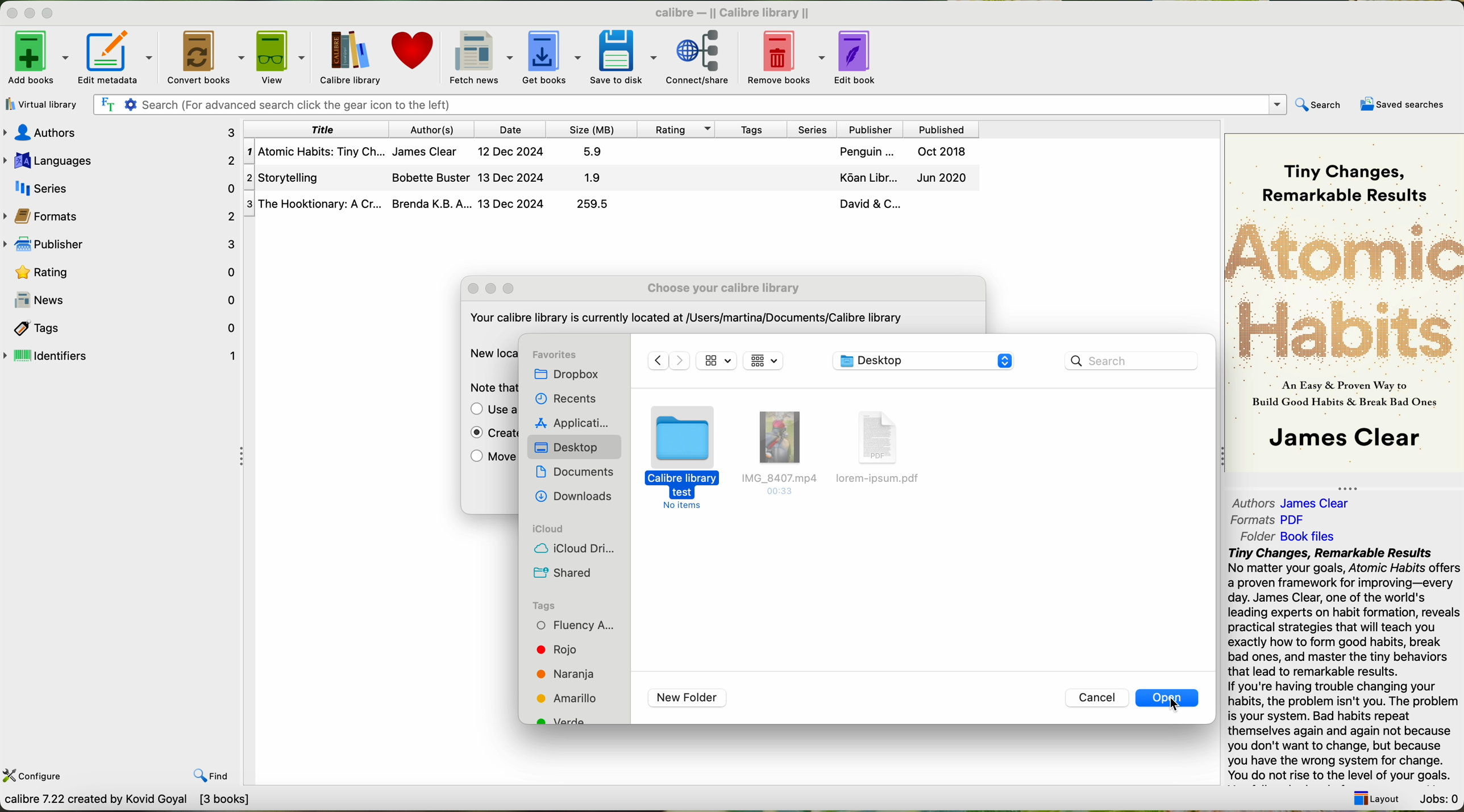  Describe the element at coordinates (318, 129) in the screenshot. I see `title` at that location.